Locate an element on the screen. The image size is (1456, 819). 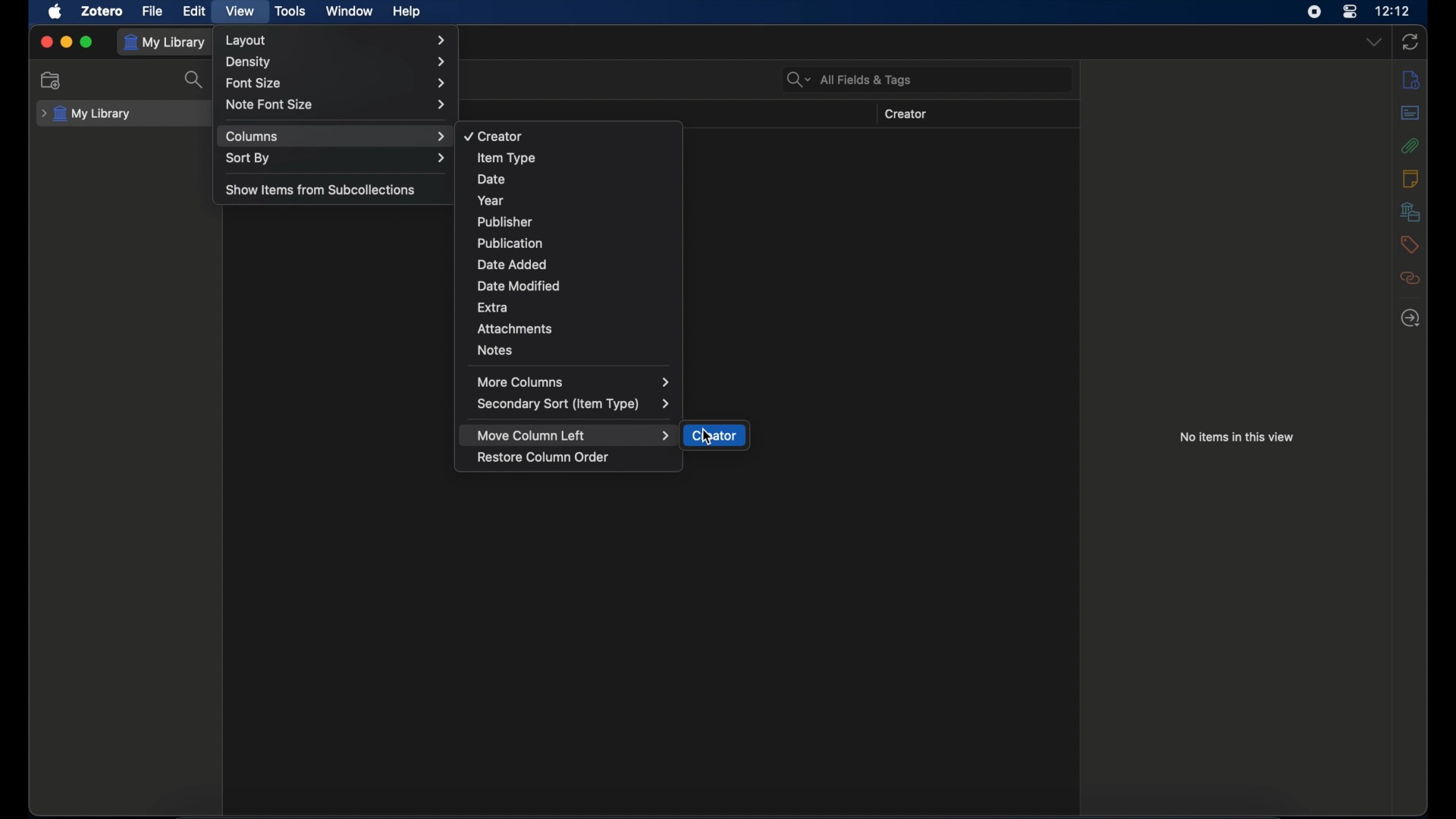
screen recorder is located at coordinates (1313, 11).